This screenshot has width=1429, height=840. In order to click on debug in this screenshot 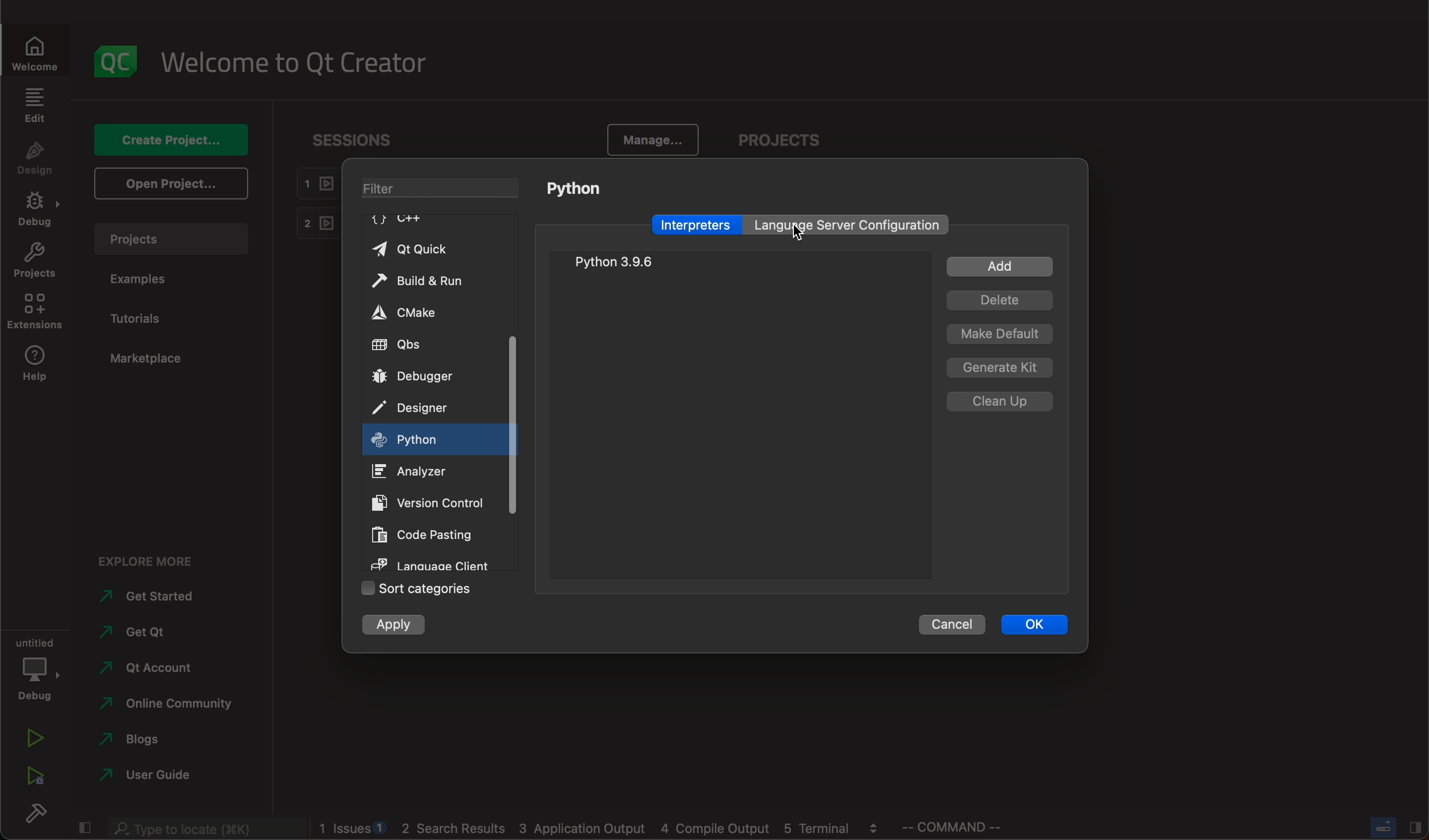, I will do `click(38, 669)`.